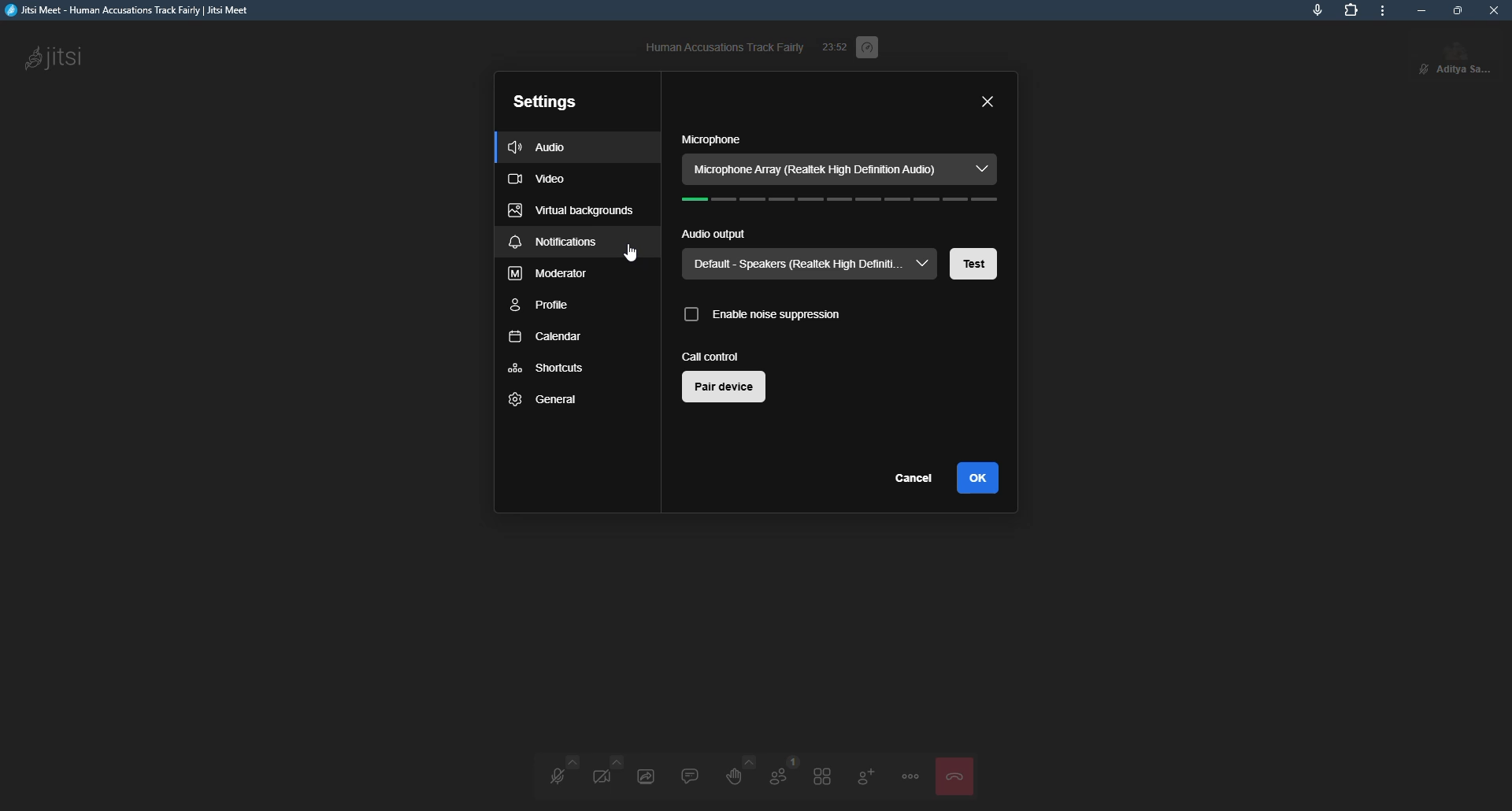  I want to click on close, so click(1496, 12).